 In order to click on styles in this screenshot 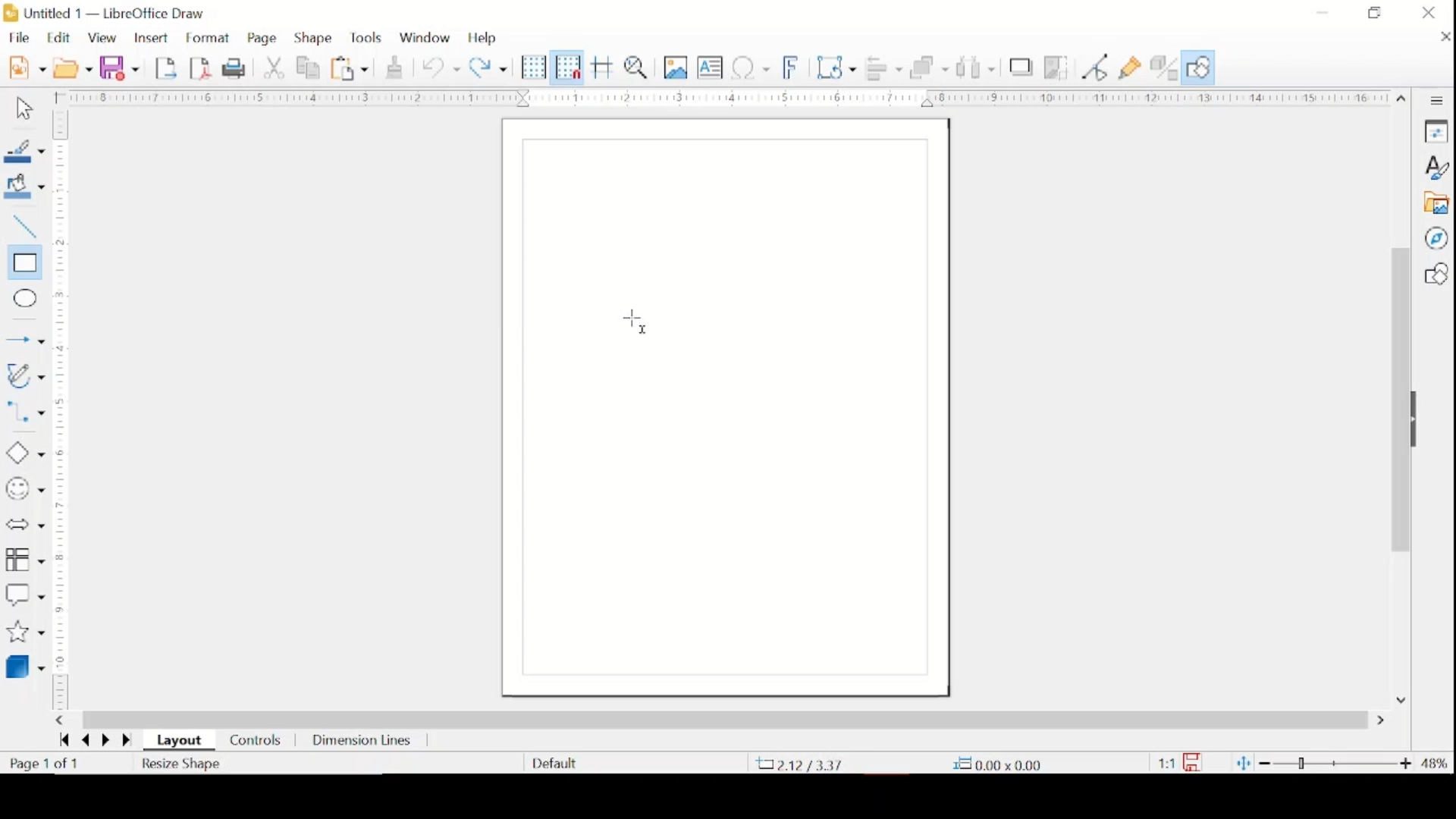, I will do `click(1436, 168)`.